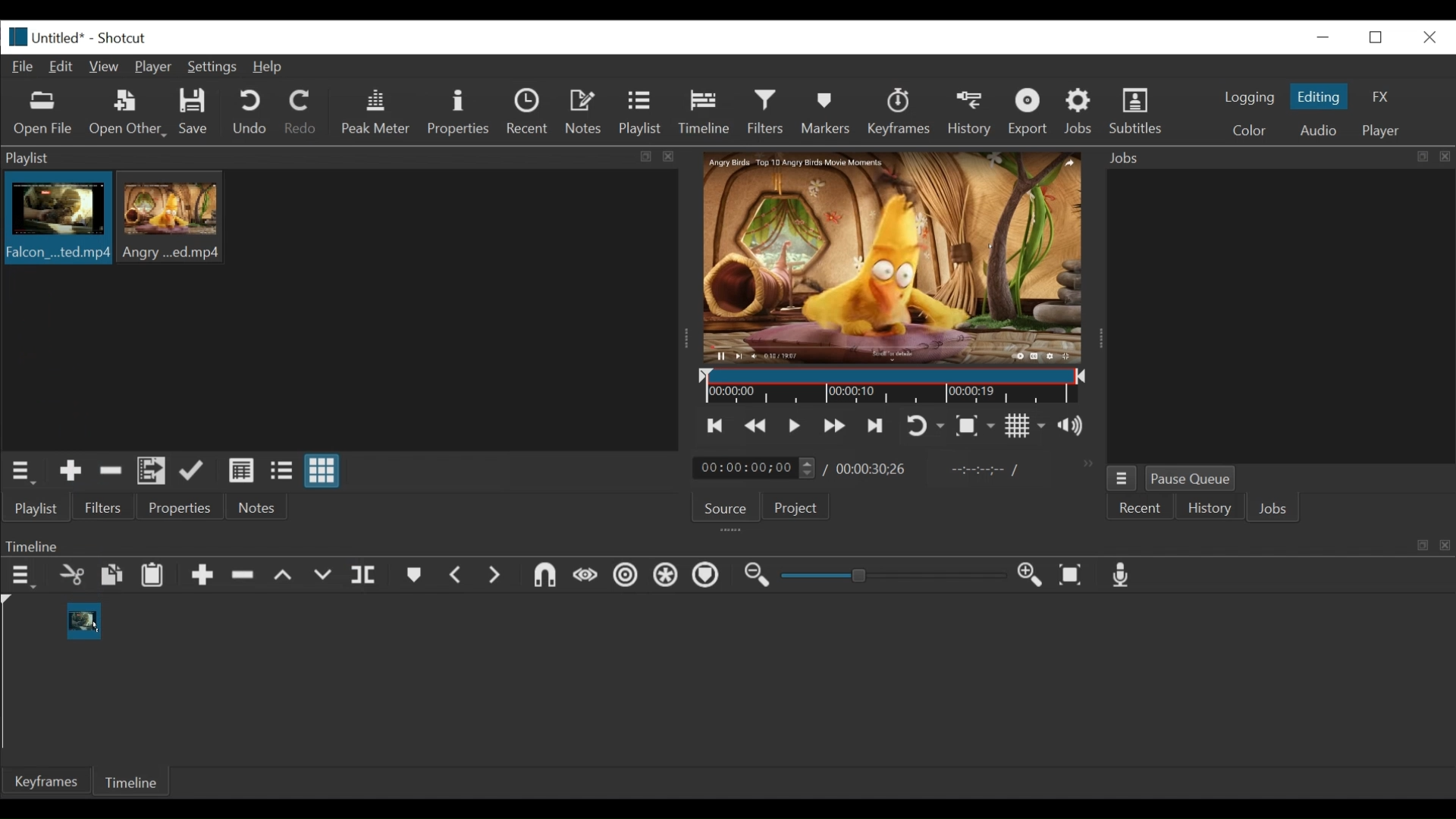 Image resolution: width=1456 pixels, height=819 pixels. I want to click on History, so click(972, 111).